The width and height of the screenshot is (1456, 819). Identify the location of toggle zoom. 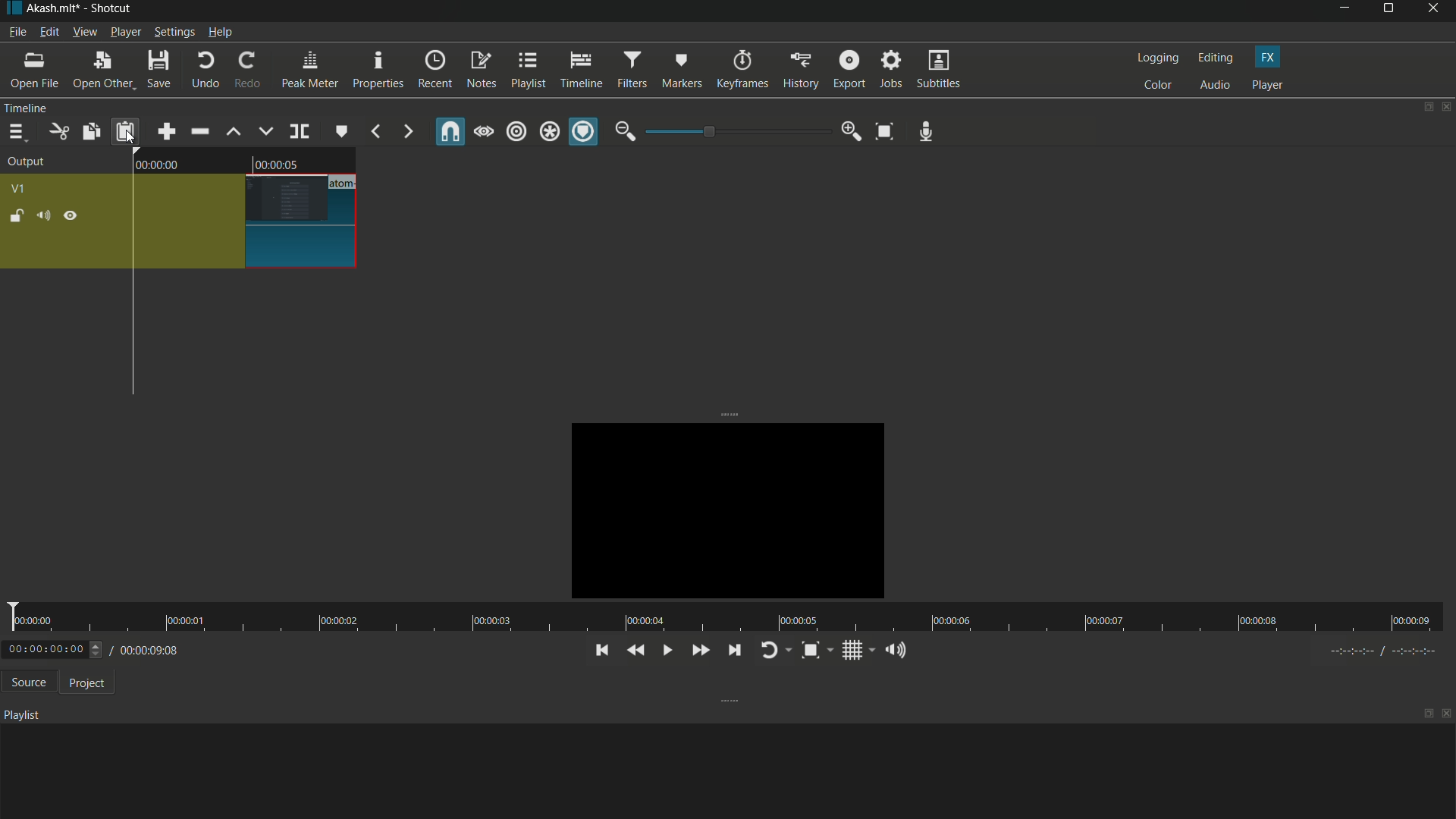
(886, 130).